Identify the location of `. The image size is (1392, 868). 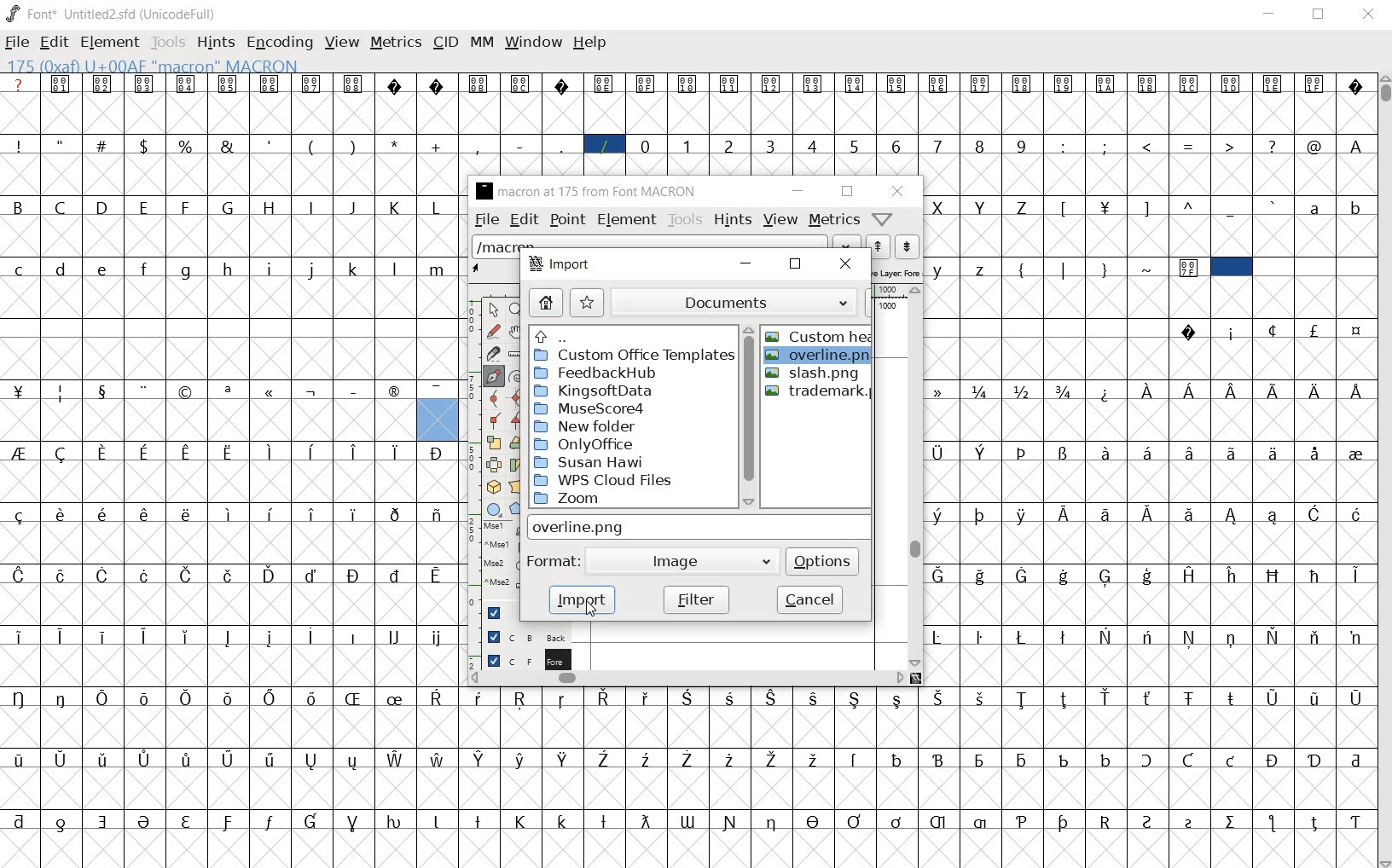
(1273, 205).